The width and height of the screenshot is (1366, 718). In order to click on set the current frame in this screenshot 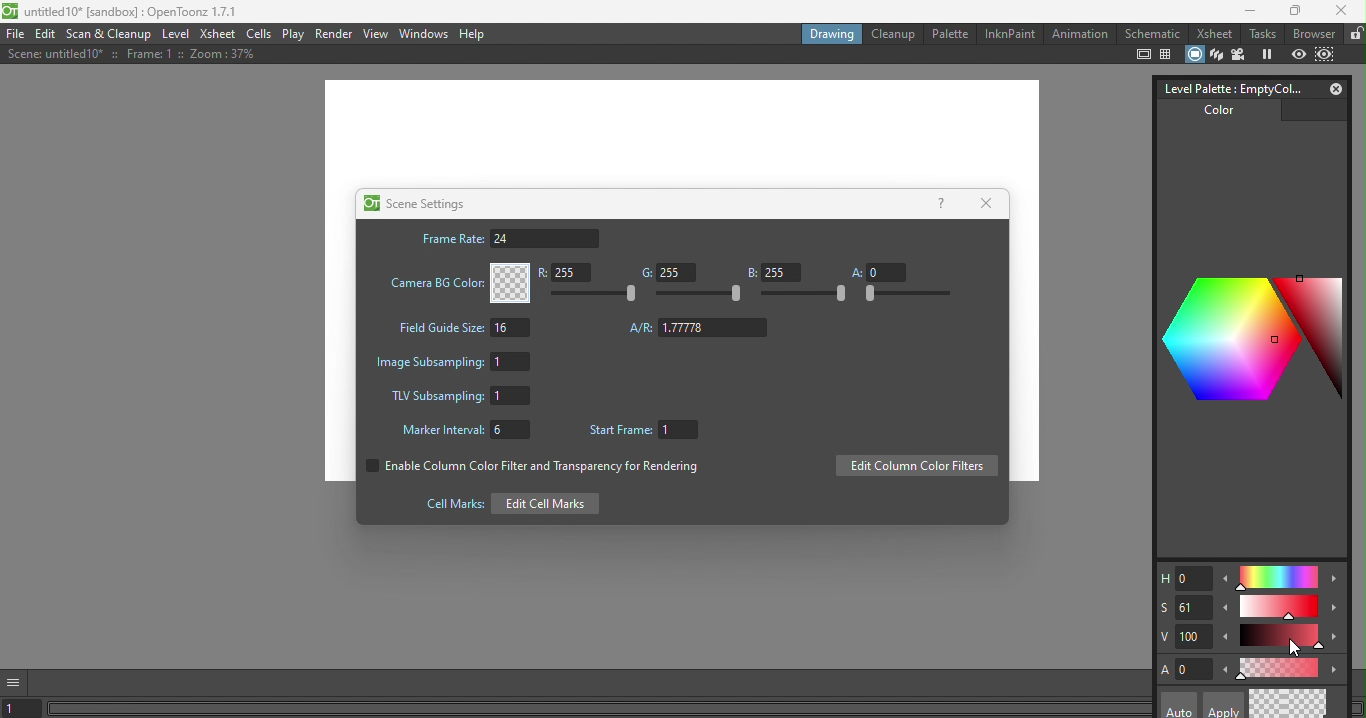, I will do `click(24, 709)`.